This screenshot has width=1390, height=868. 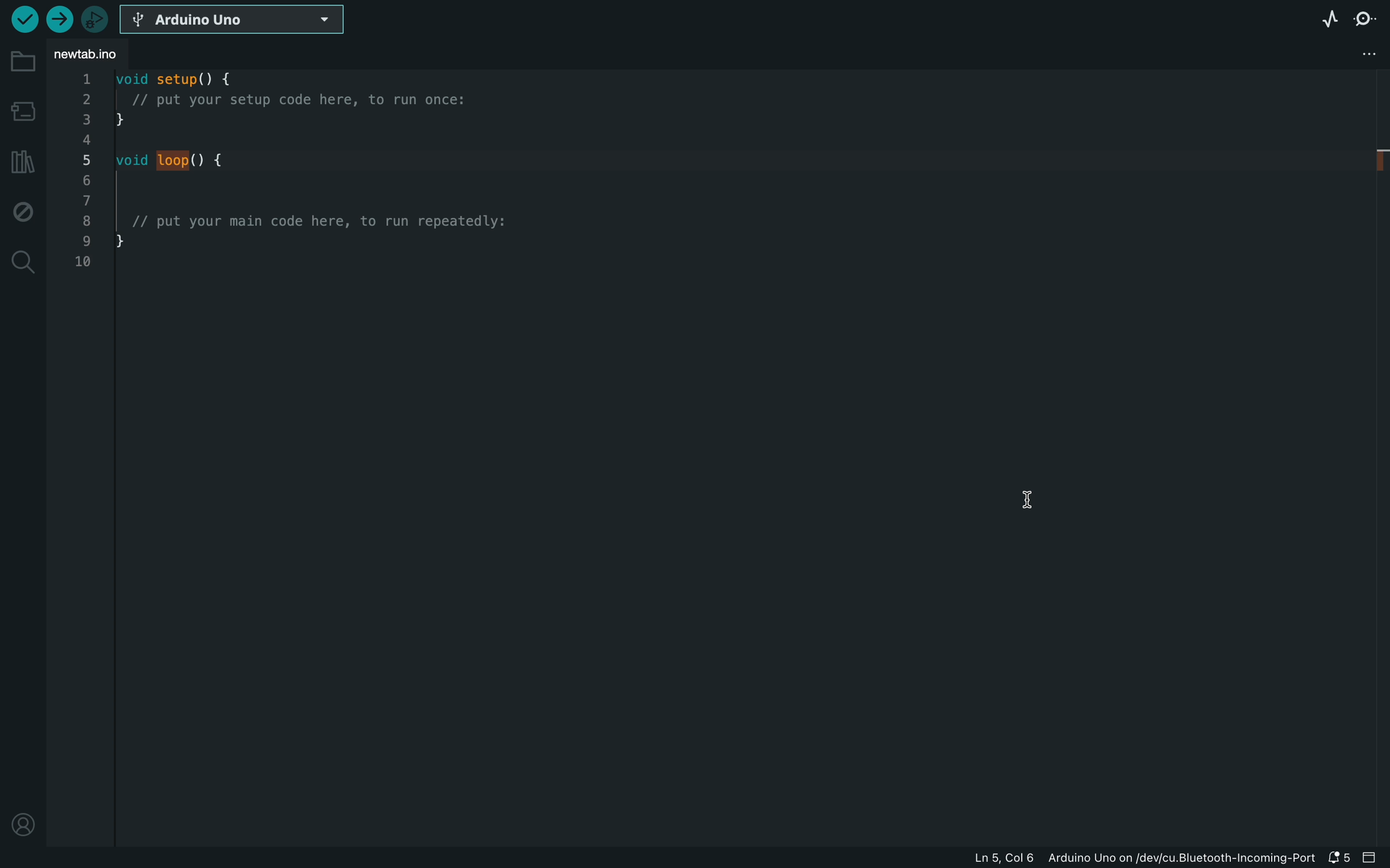 I want to click on close slide bar, so click(x=1373, y=858).